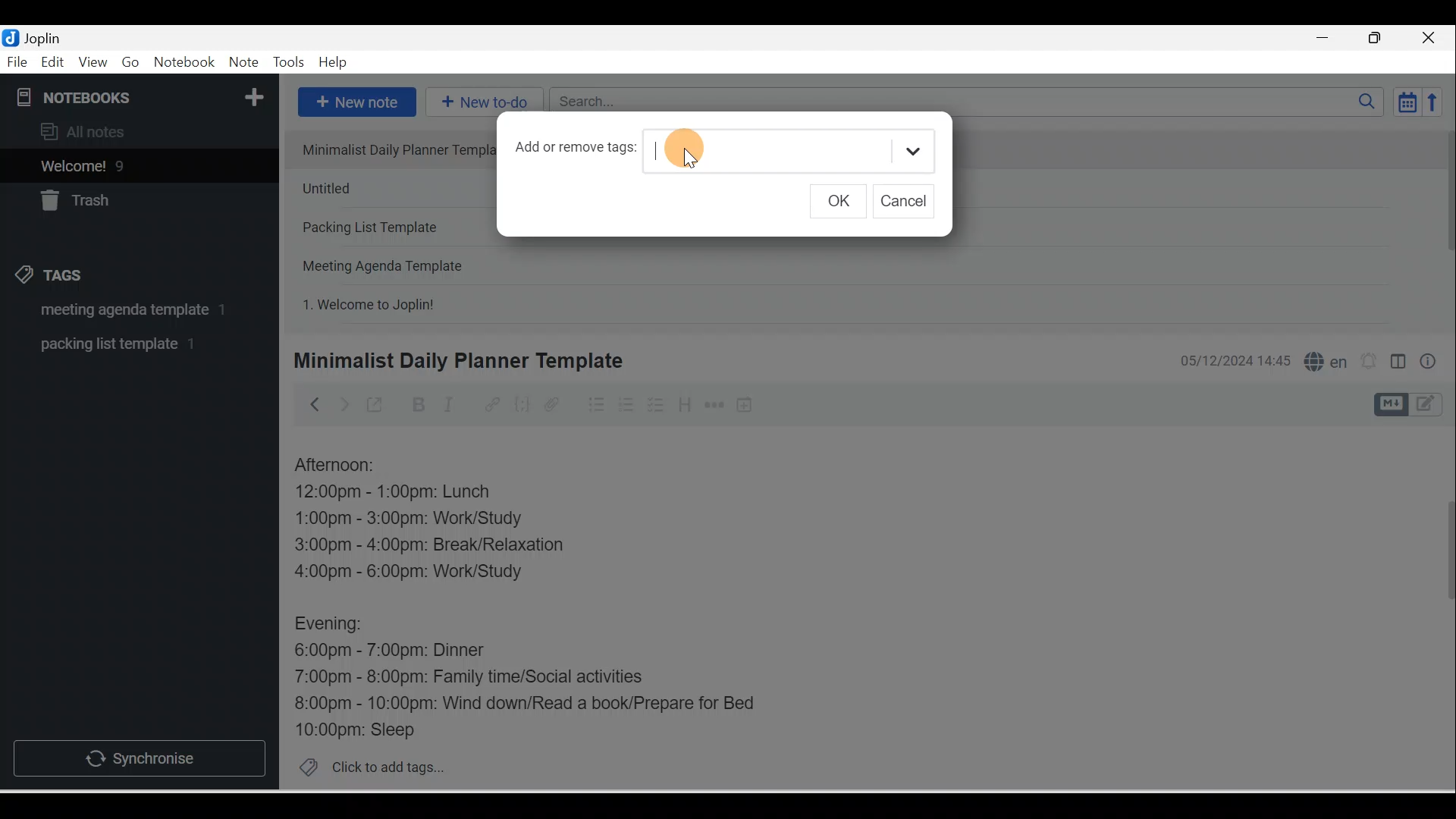 The width and height of the screenshot is (1456, 819). I want to click on Checkbox, so click(654, 405).